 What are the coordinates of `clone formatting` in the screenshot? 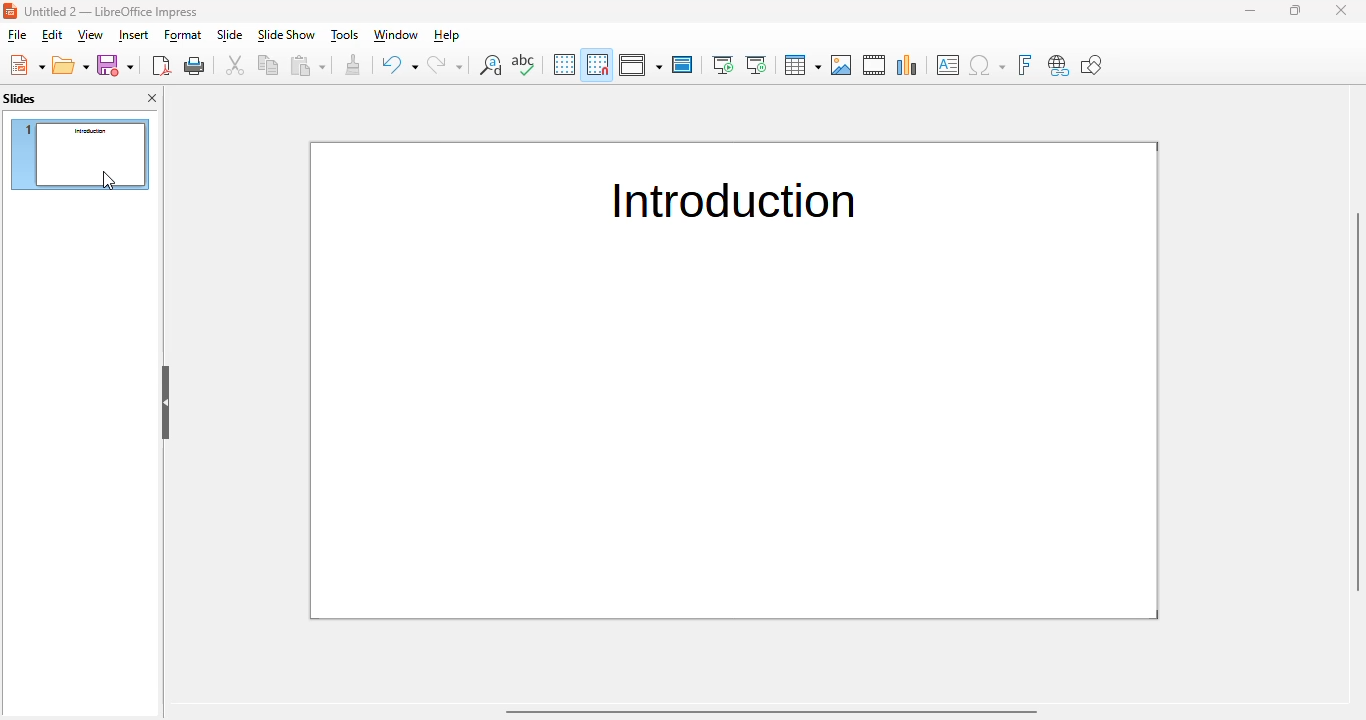 It's located at (353, 65).